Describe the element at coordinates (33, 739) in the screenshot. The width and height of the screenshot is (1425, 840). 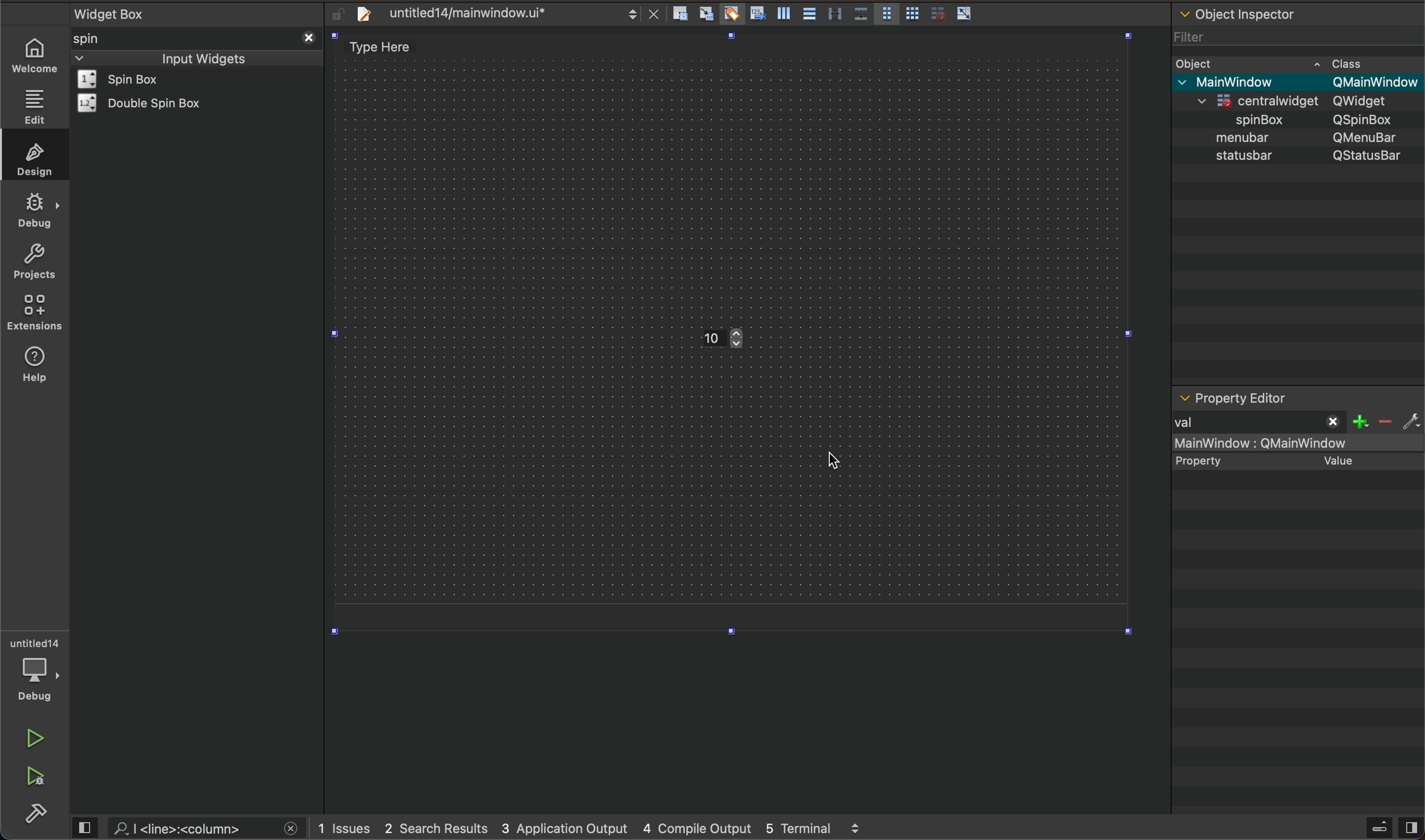
I see `run` at that location.